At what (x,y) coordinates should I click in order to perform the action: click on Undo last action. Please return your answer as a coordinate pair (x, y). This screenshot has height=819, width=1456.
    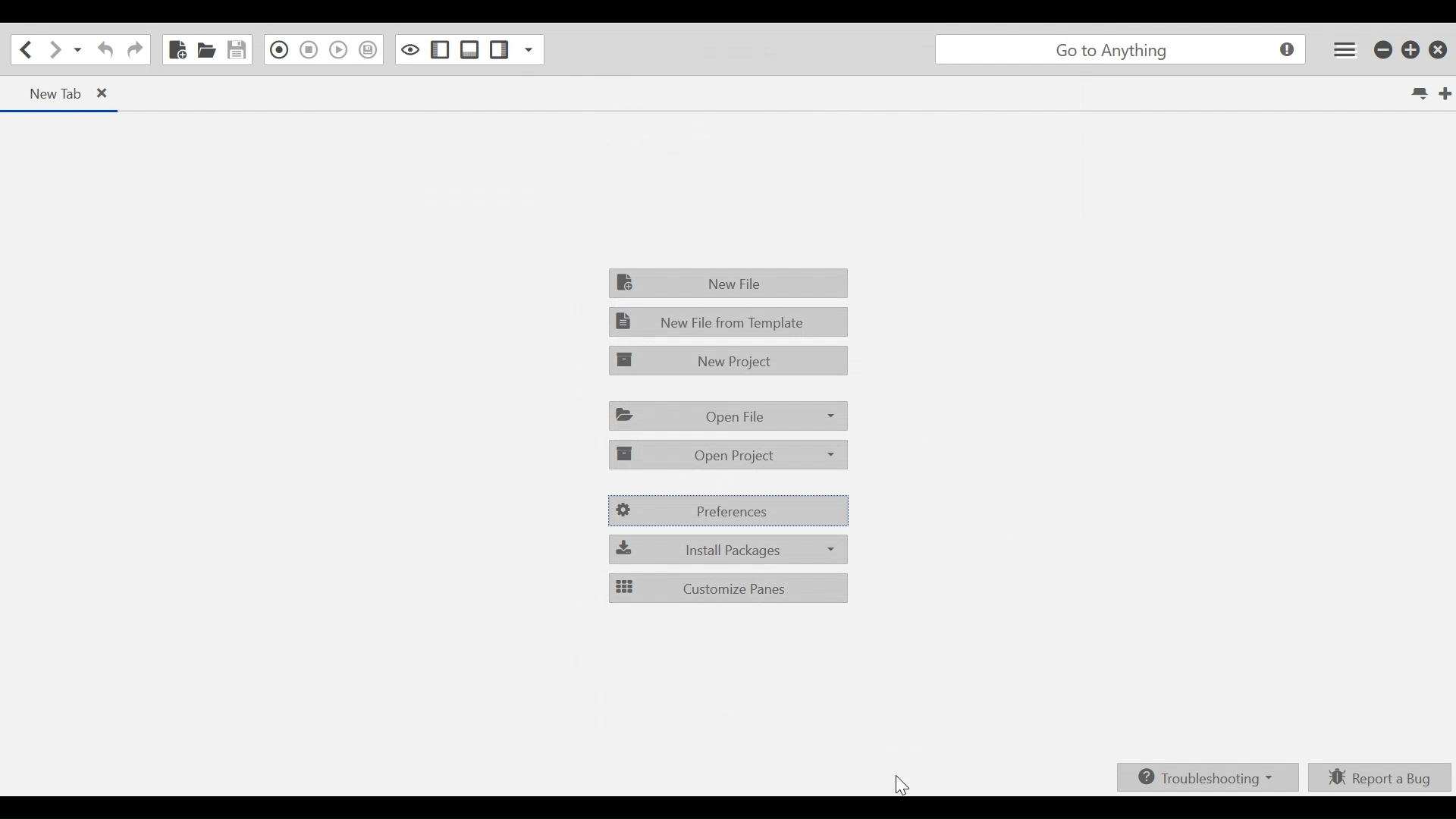
    Looking at the image, I should click on (106, 50).